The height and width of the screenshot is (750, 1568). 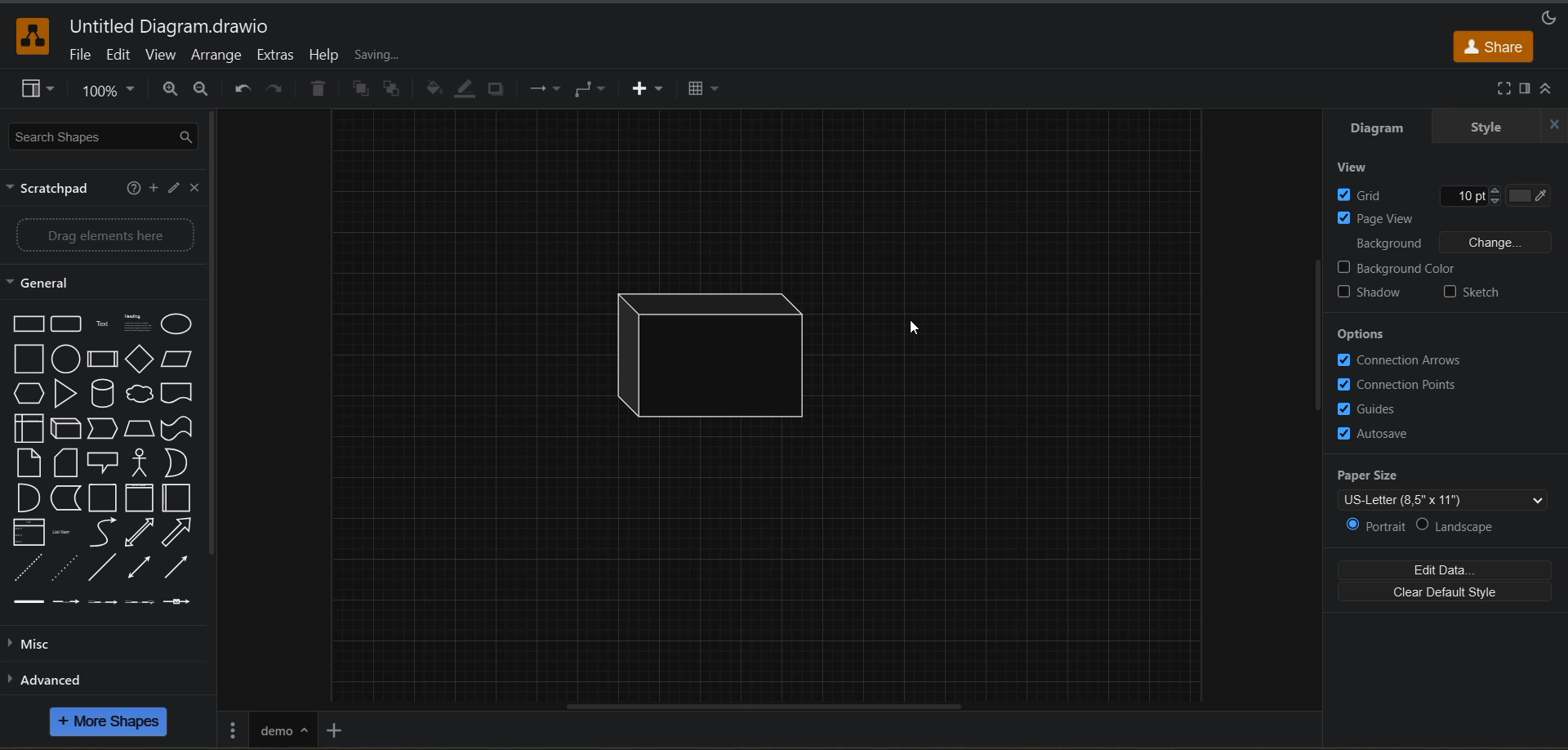 What do you see at coordinates (109, 721) in the screenshot?
I see `more shapes` at bounding box center [109, 721].